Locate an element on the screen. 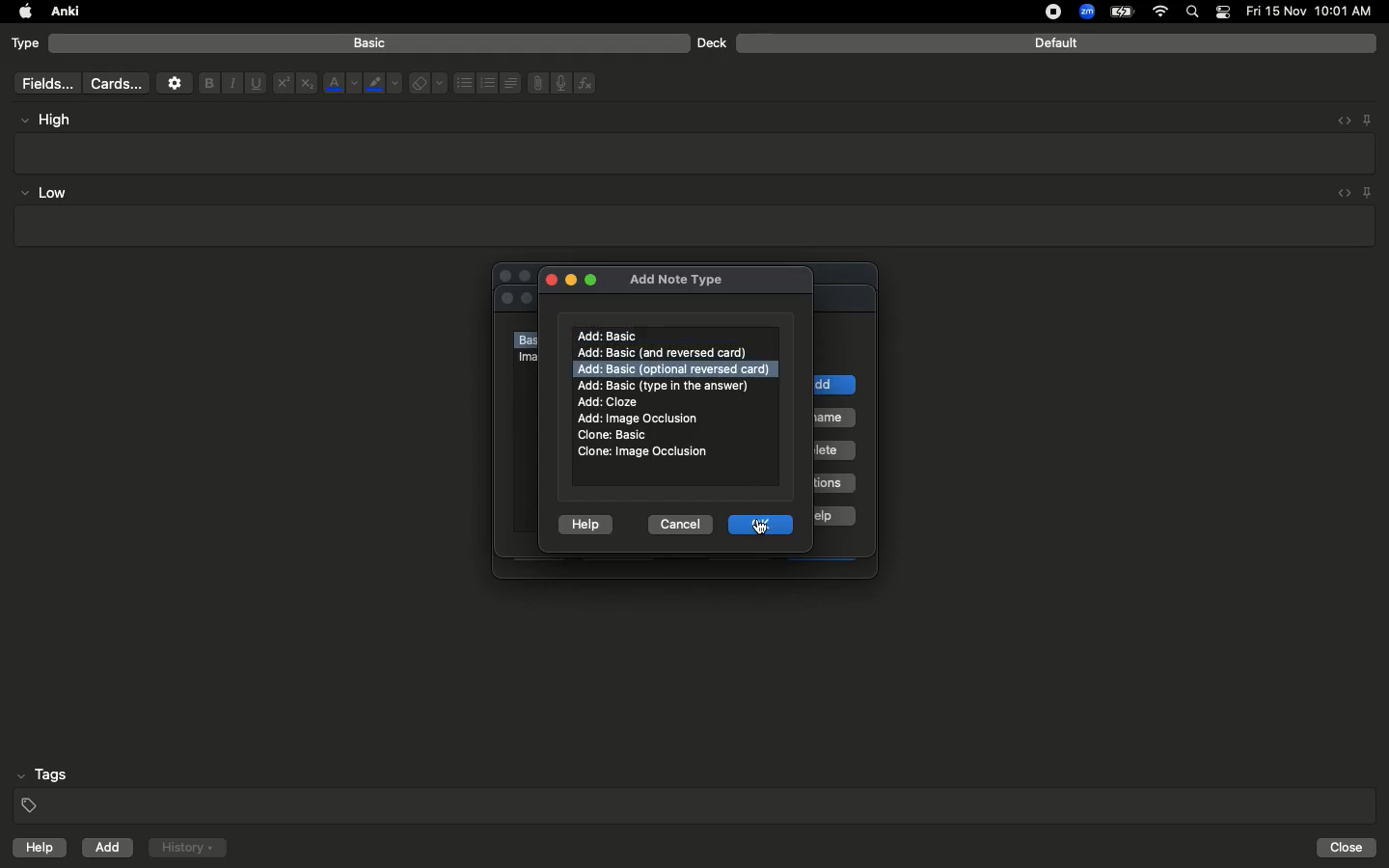 The height and width of the screenshot is (868, 1389). Underline is located at coordinates (255, 84).